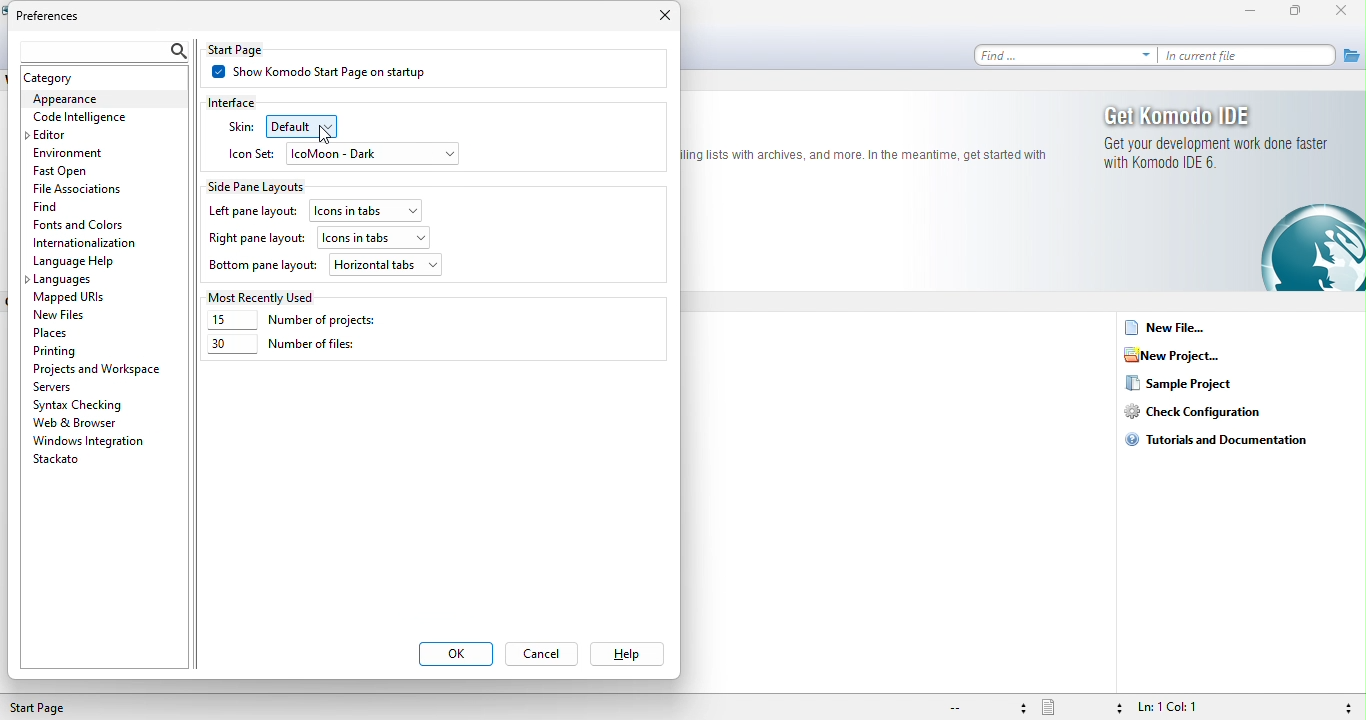 This screenshot has width=1366, height=720. Describe the element at coordinates (48, 708) in the screenshot. I see `start page` at that location.